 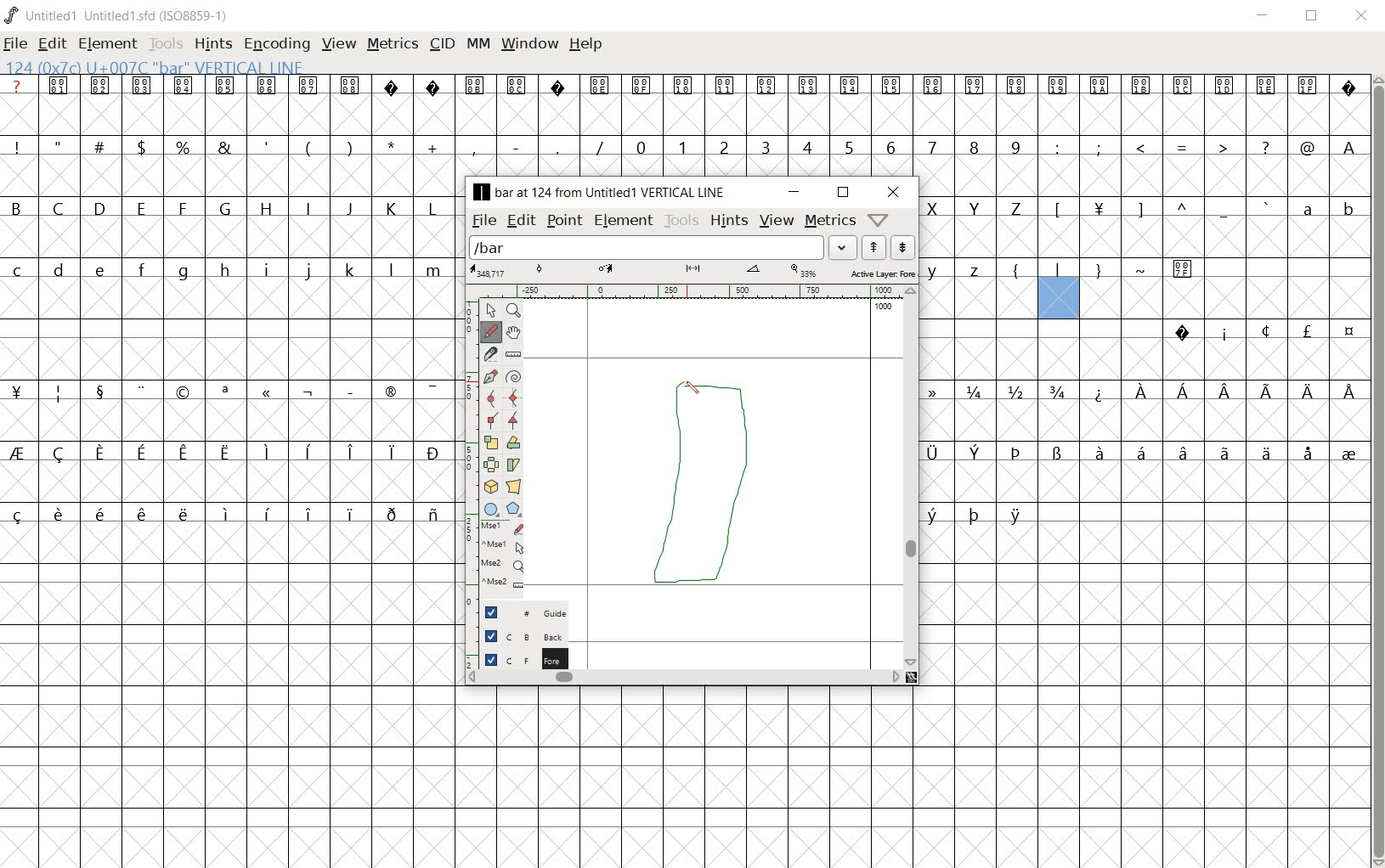 What do you see at coordinates (516, 509) in the screenshot?
I see `polygon or star` at bounding box center [516, 509].